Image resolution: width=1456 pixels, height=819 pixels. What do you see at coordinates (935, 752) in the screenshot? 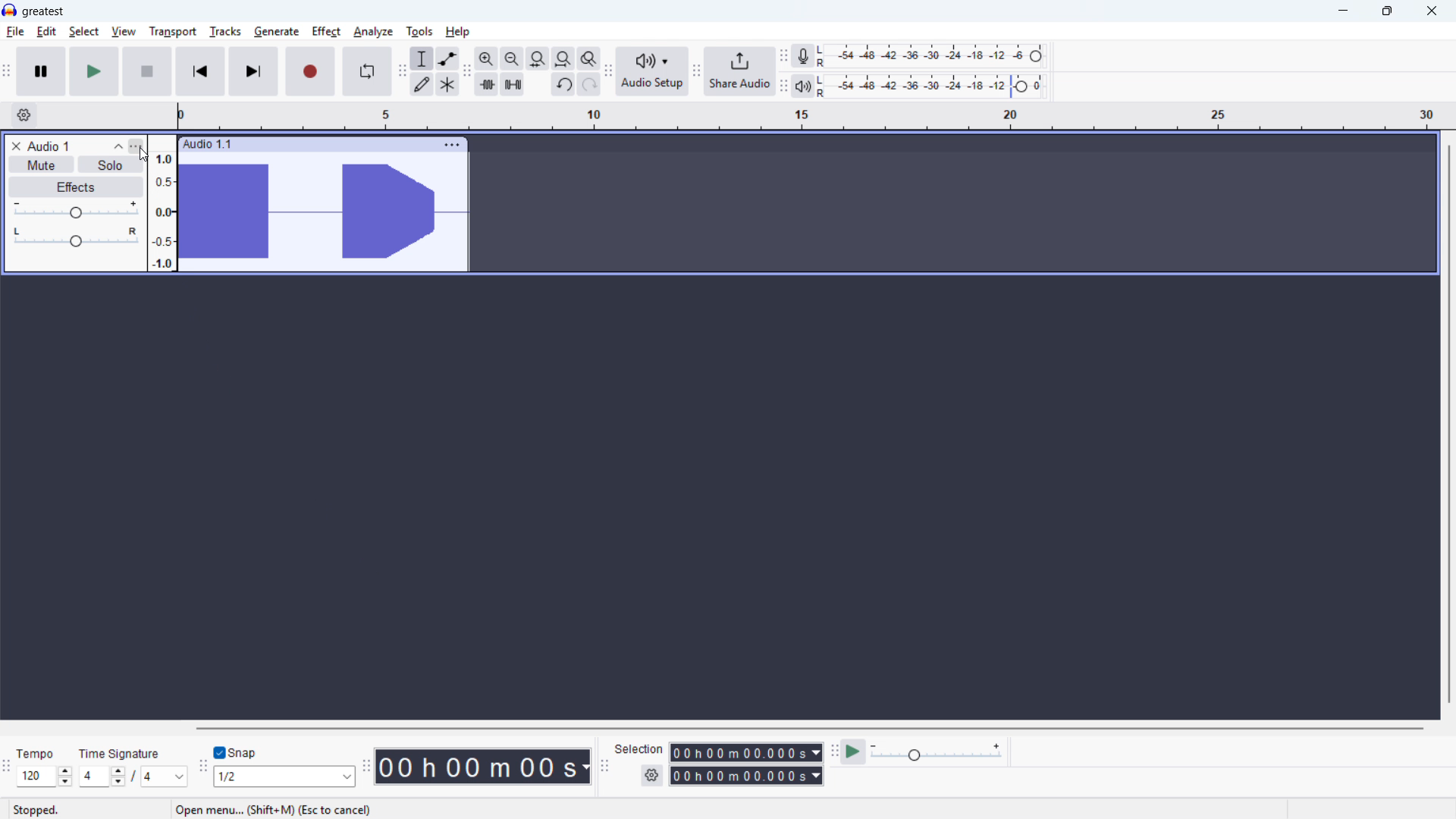
I see `playback speed` at bounding box center [935, 752].